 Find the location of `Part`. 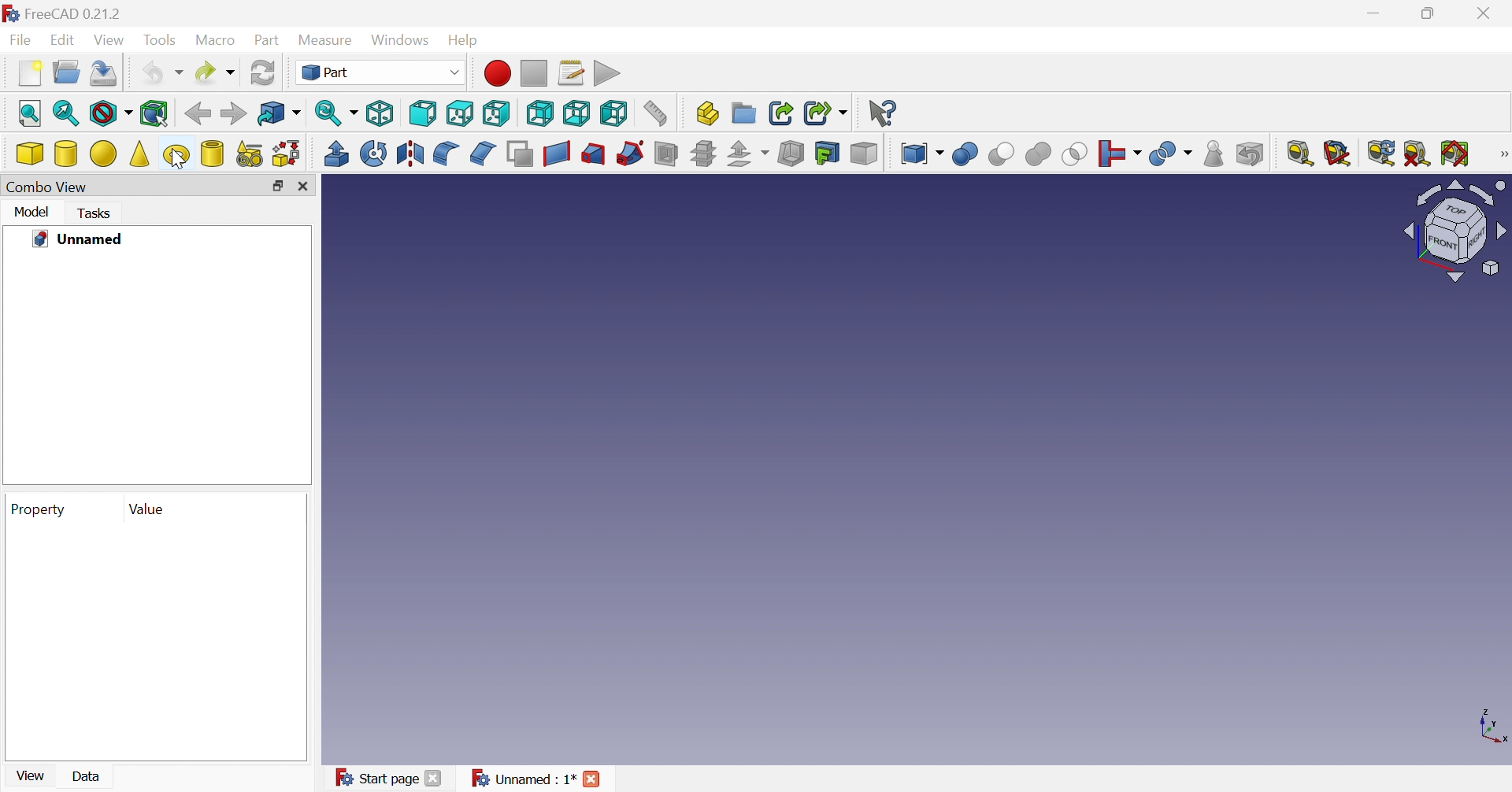

Part is located at coordinates (265, 42).